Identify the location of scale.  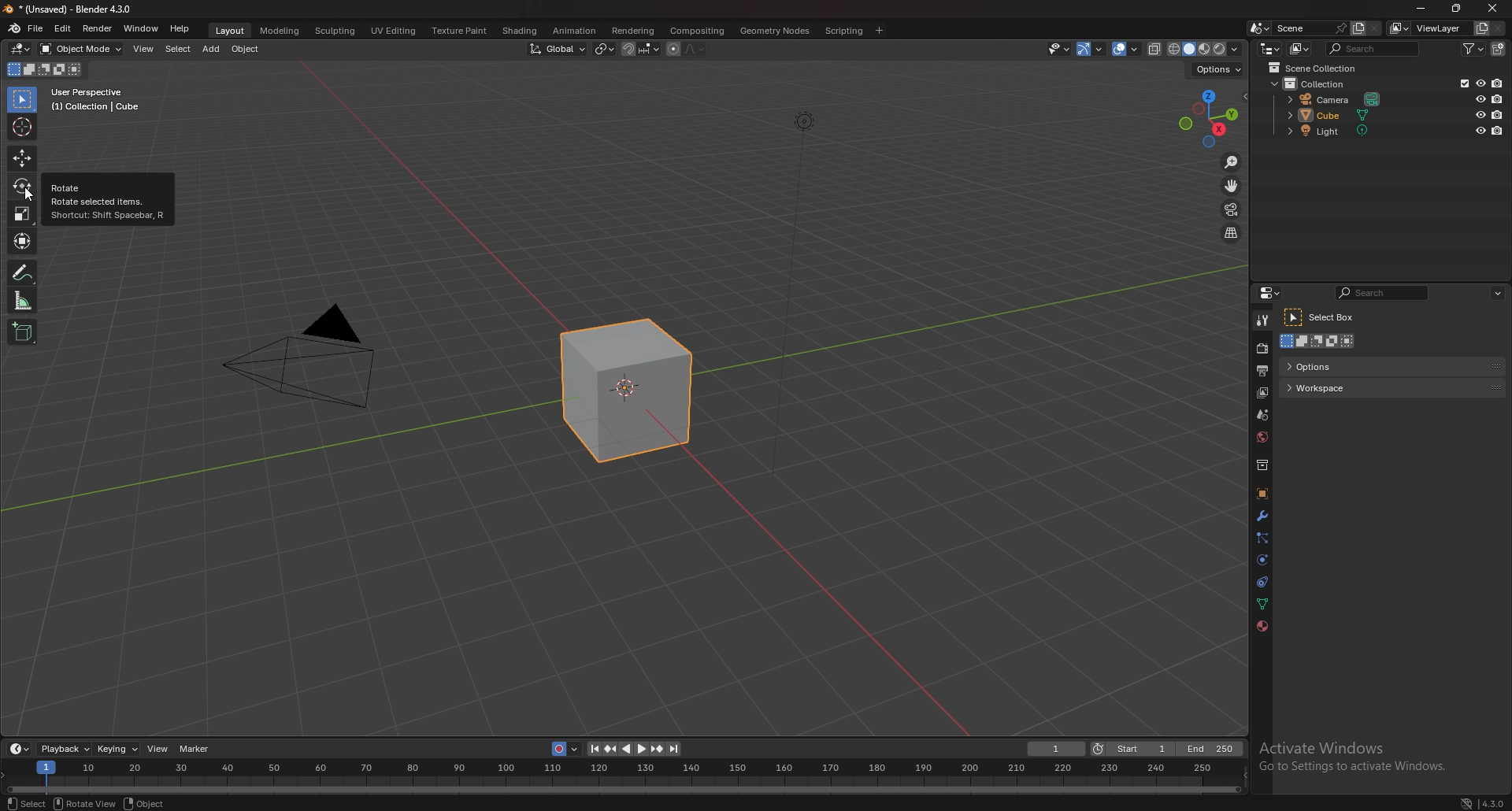
(22, 213).